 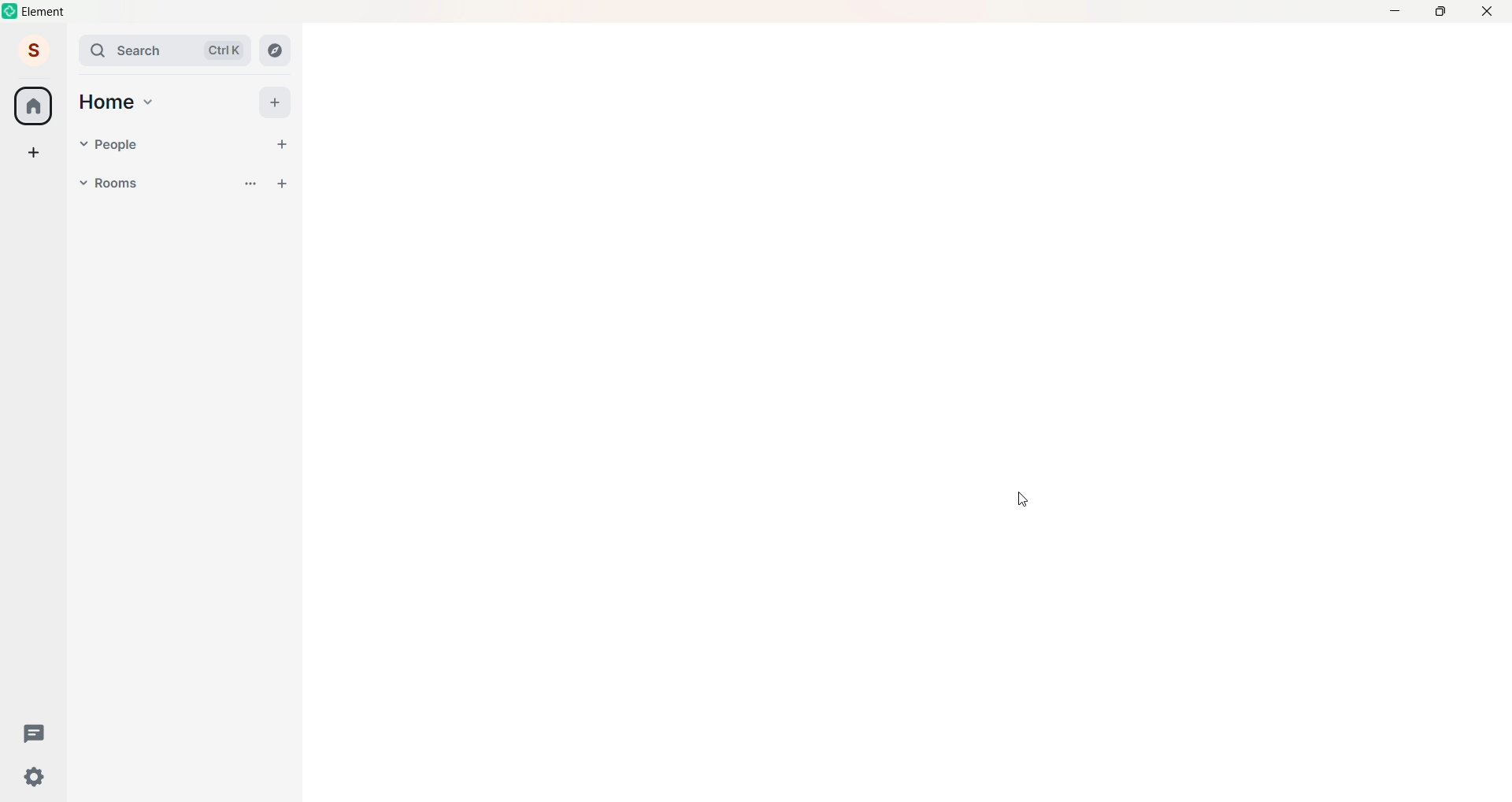 I want to click on Search ctrl k, so click(x=164, y=50).